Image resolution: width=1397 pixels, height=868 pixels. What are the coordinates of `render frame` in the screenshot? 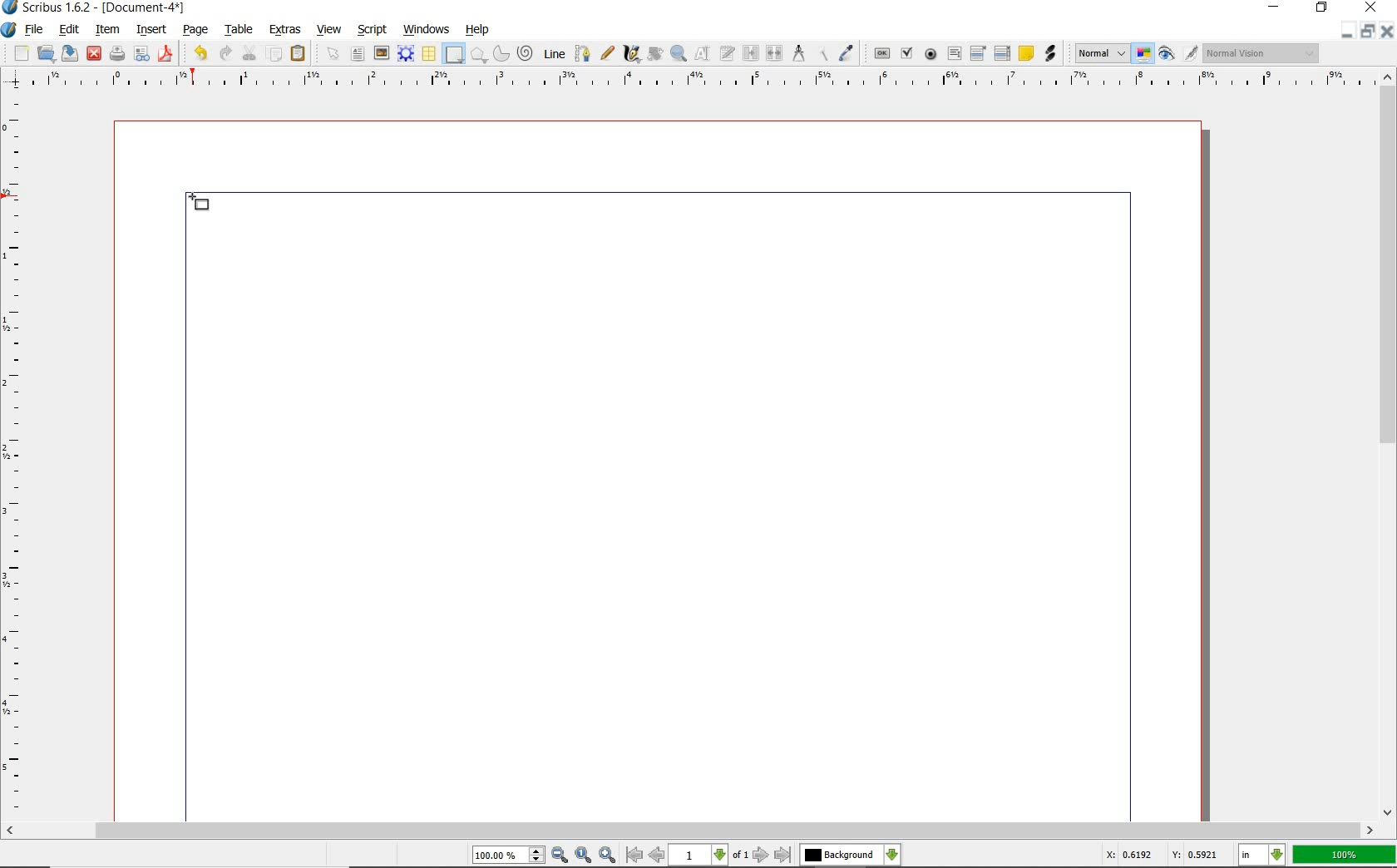 It's located at (407, 55).